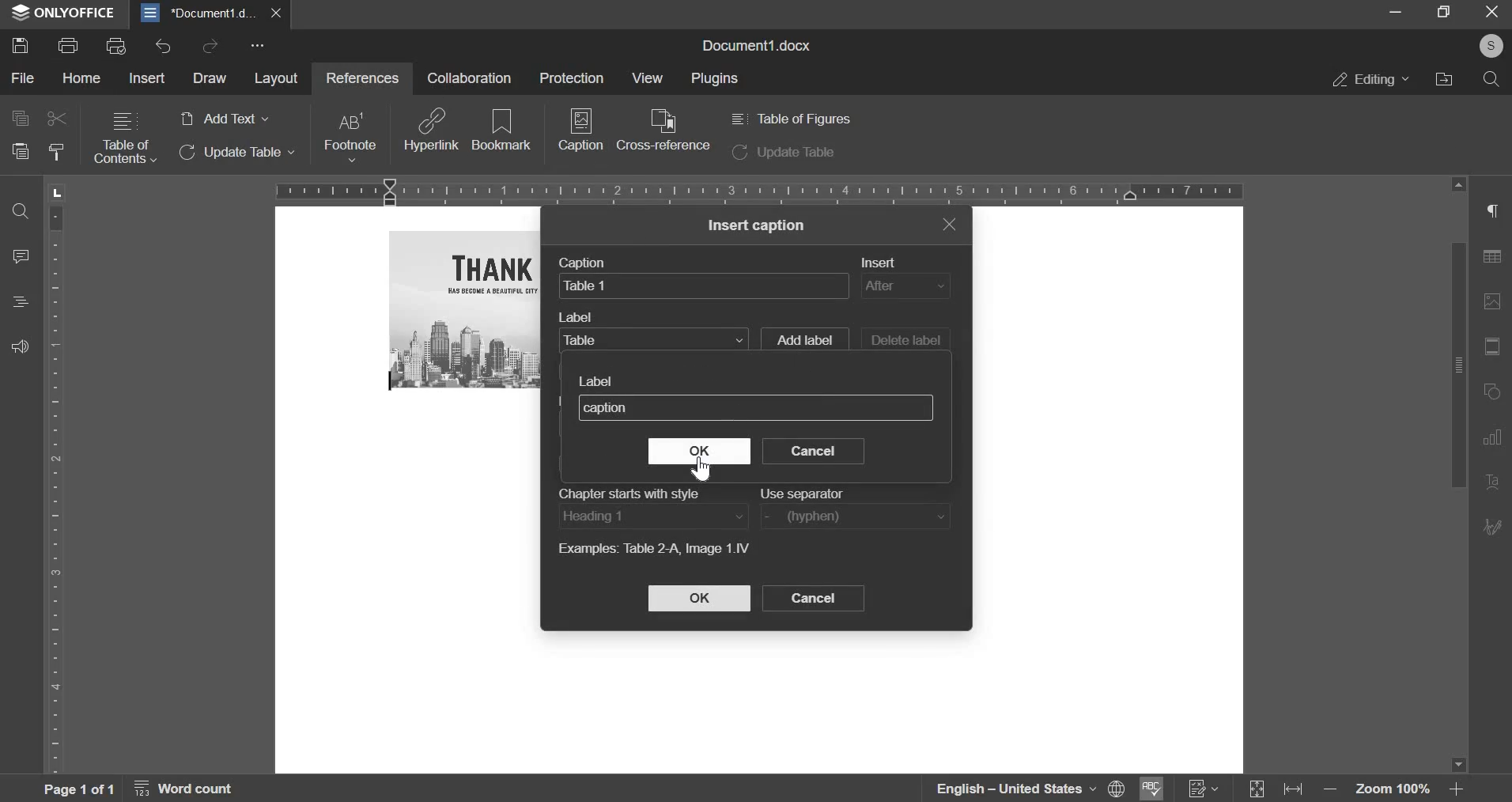  What do you see at coordinates (789, 119) in the screenshot?
I see `table of figures` at bounding box center [789, 119].